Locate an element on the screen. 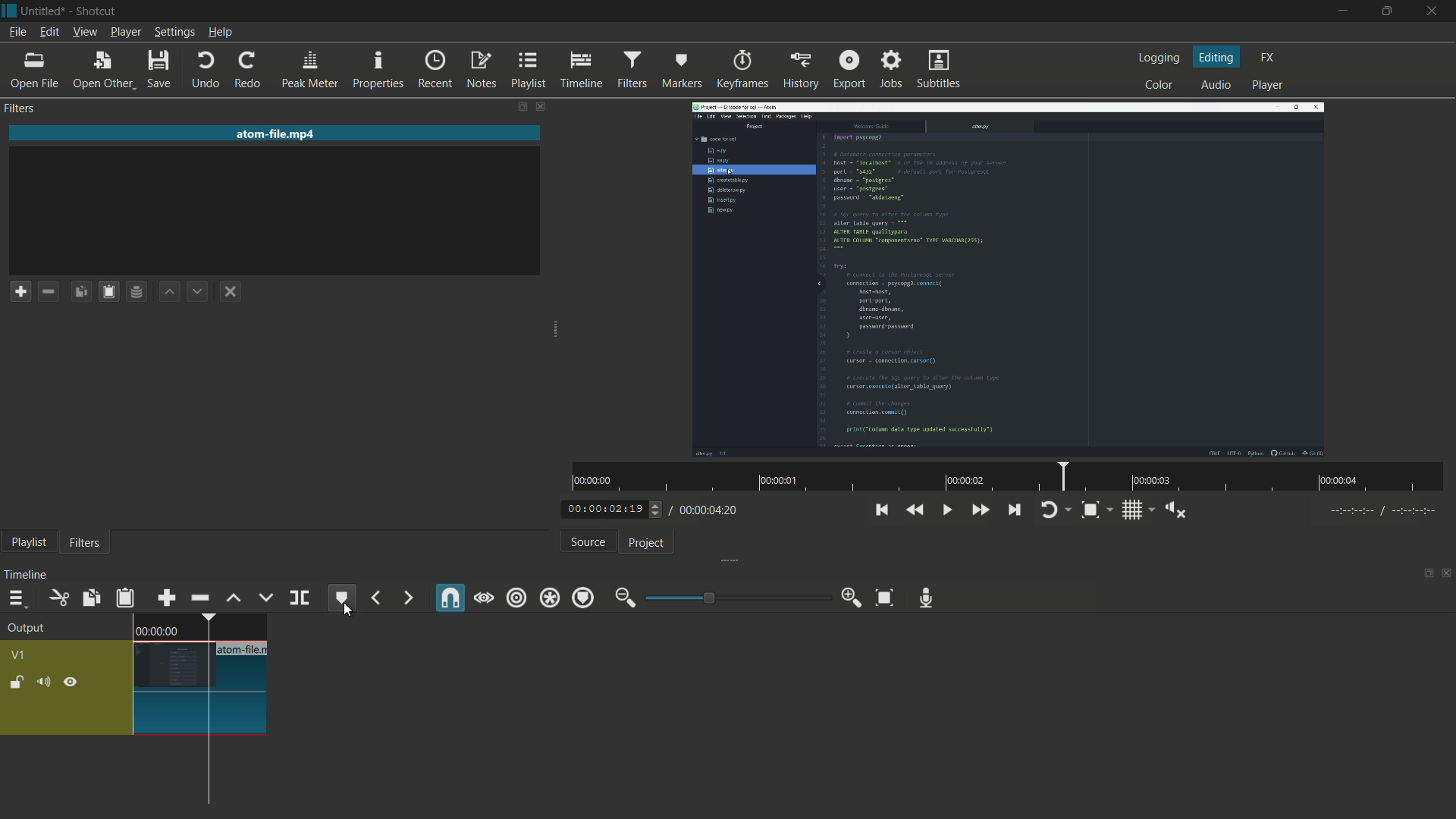 This screenshot has height=819, width=1456. color is located at coordinates (1159, 86).